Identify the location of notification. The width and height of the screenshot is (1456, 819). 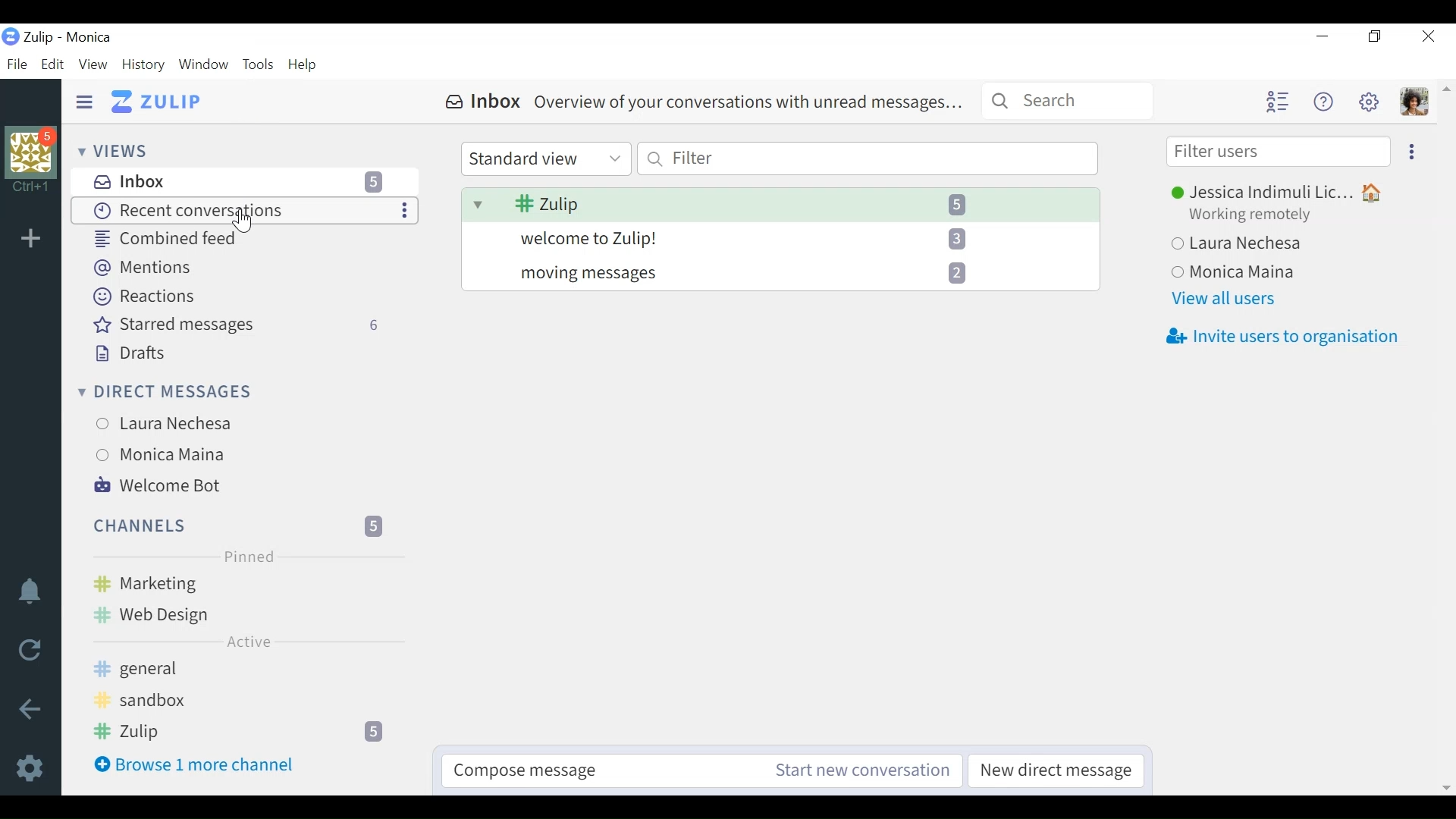
(30, 592).